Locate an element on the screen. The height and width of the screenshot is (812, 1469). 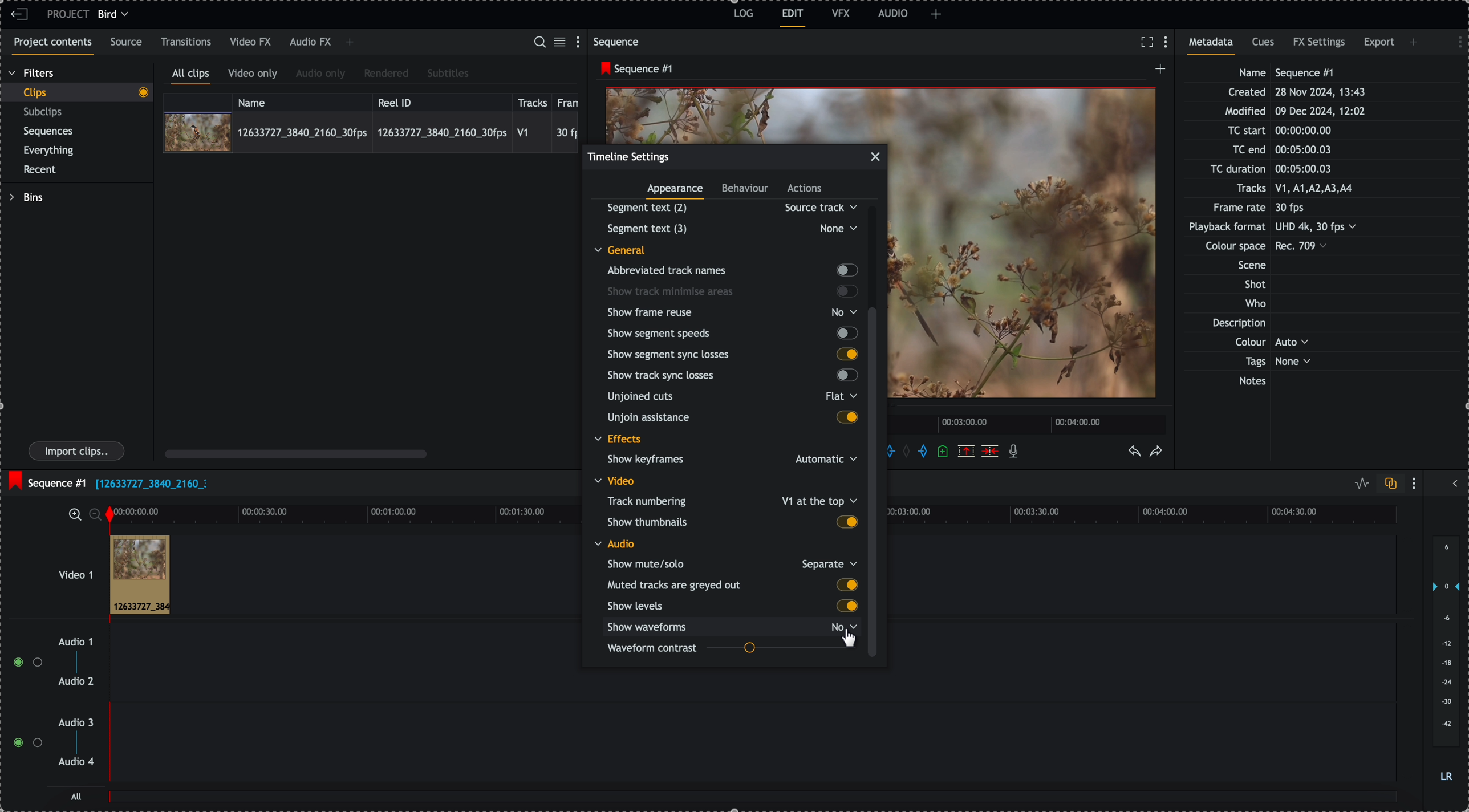
toggle auto track sync is located at coordinates (1388, 484).